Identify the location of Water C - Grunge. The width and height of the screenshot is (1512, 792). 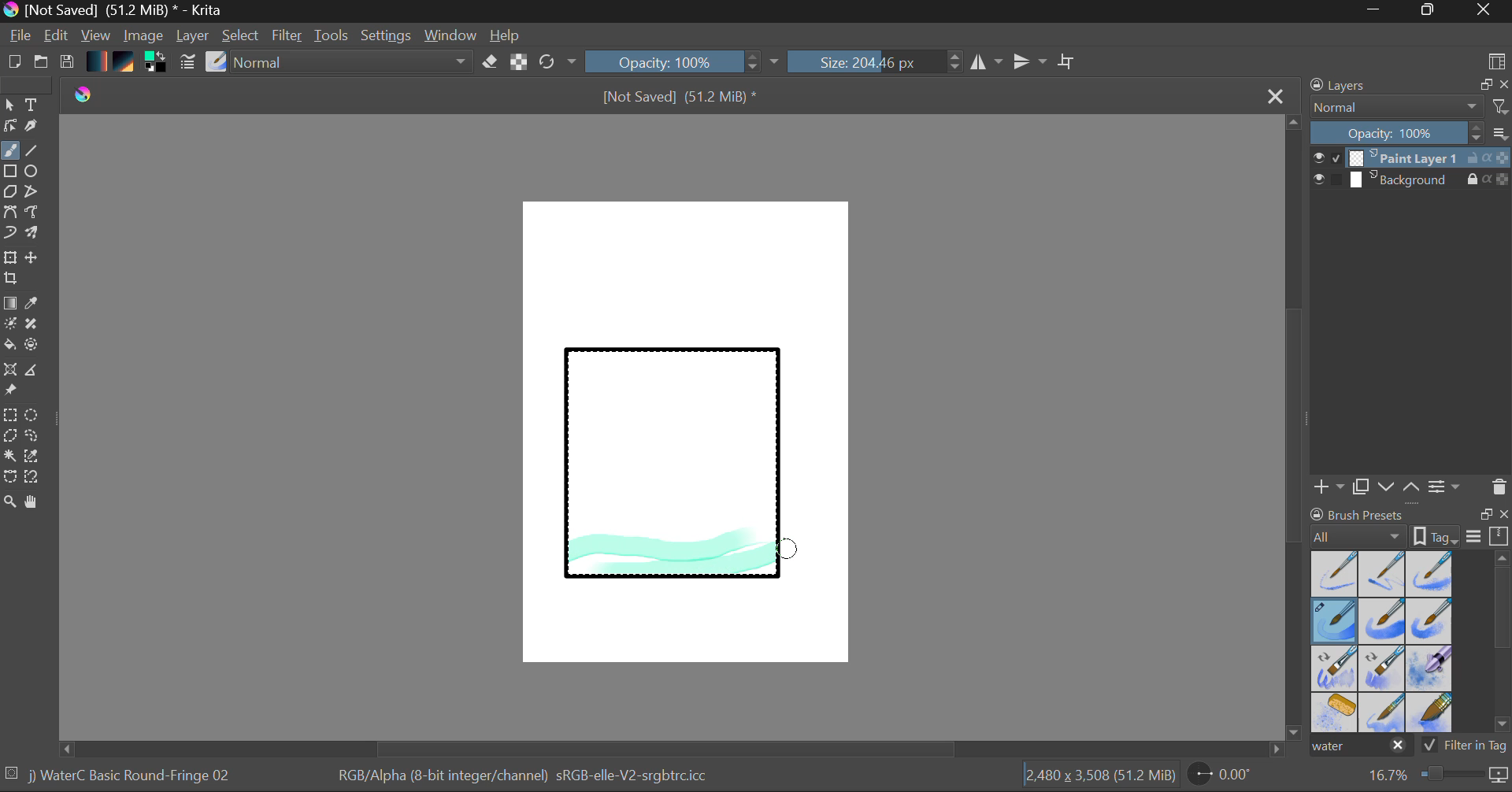
(1430, 621).